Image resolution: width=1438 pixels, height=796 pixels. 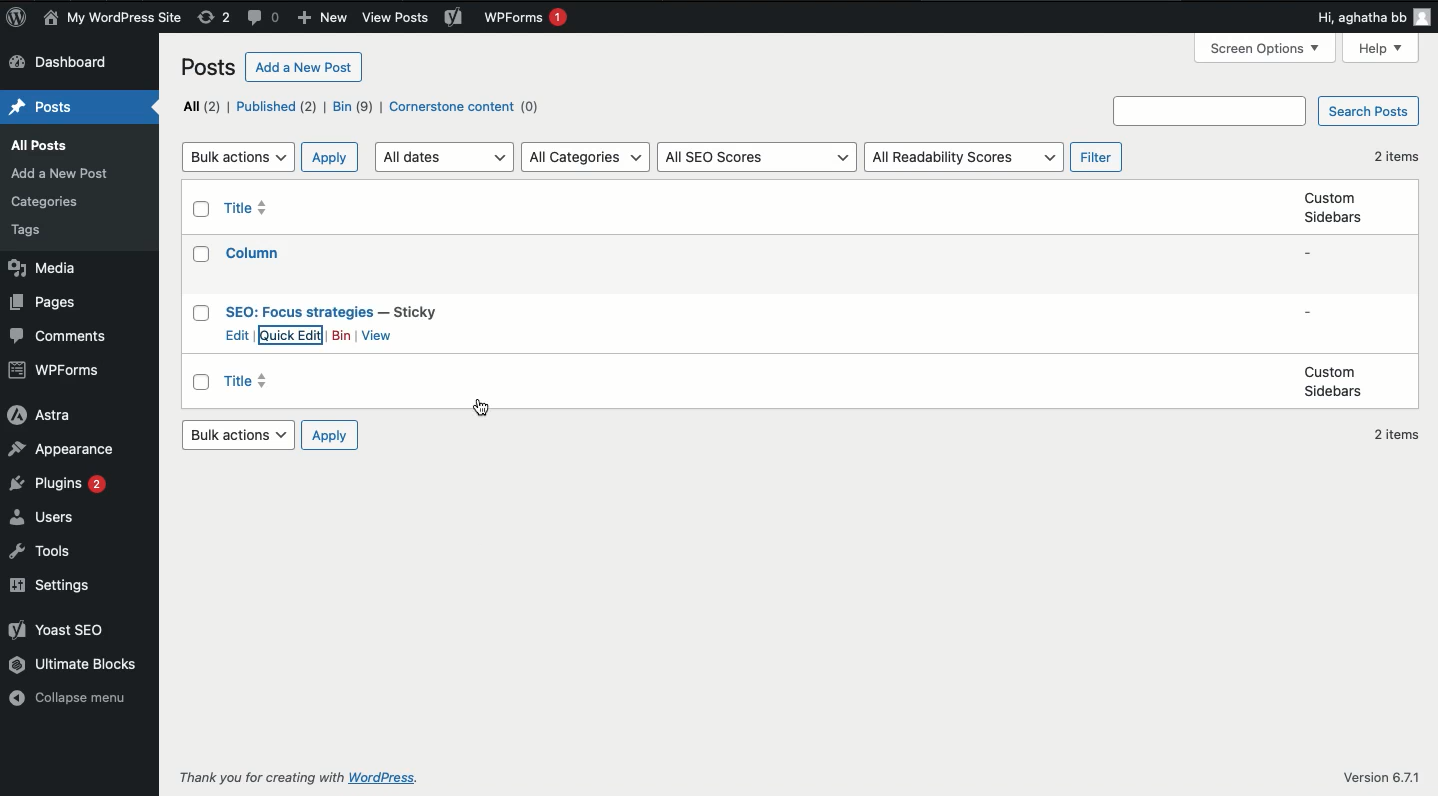 I want to click on Quick edit, so click(x=292, y=336).